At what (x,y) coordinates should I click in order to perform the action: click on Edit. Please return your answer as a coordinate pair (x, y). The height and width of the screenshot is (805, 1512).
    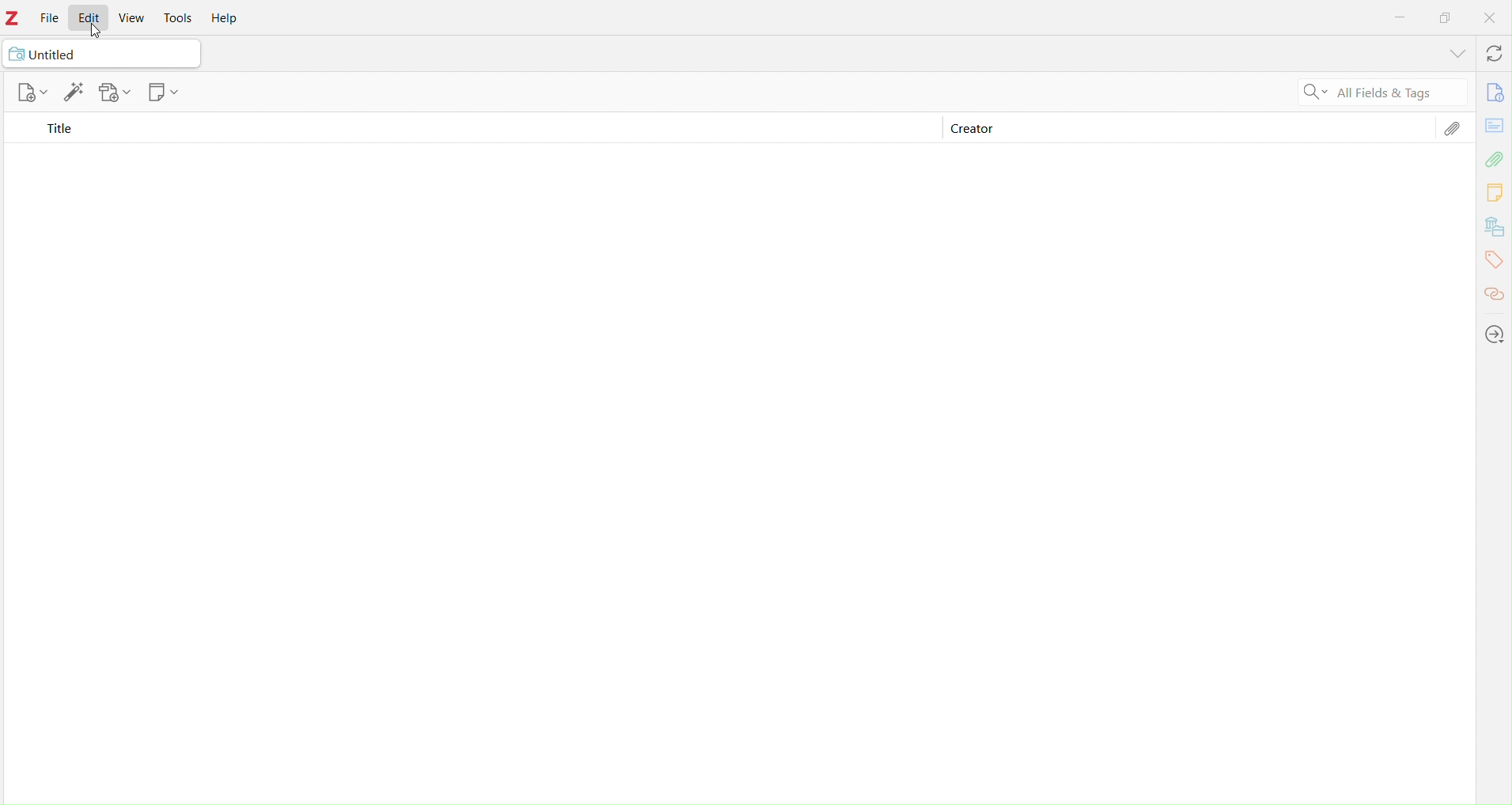
    Looking at the image, I should click on (92, 19).